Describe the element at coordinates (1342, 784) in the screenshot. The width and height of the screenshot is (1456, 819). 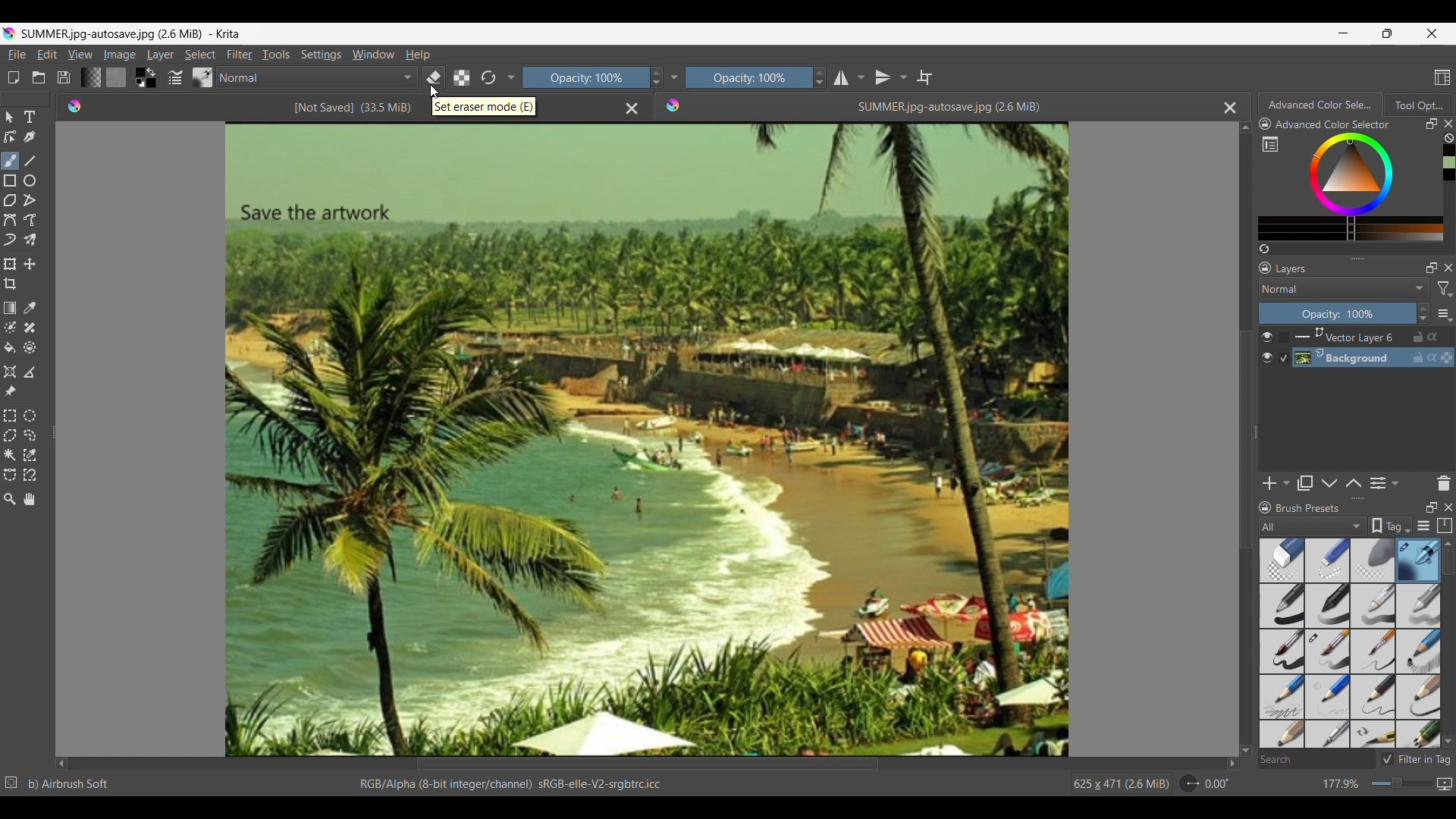
I see `177.9%` at that location.